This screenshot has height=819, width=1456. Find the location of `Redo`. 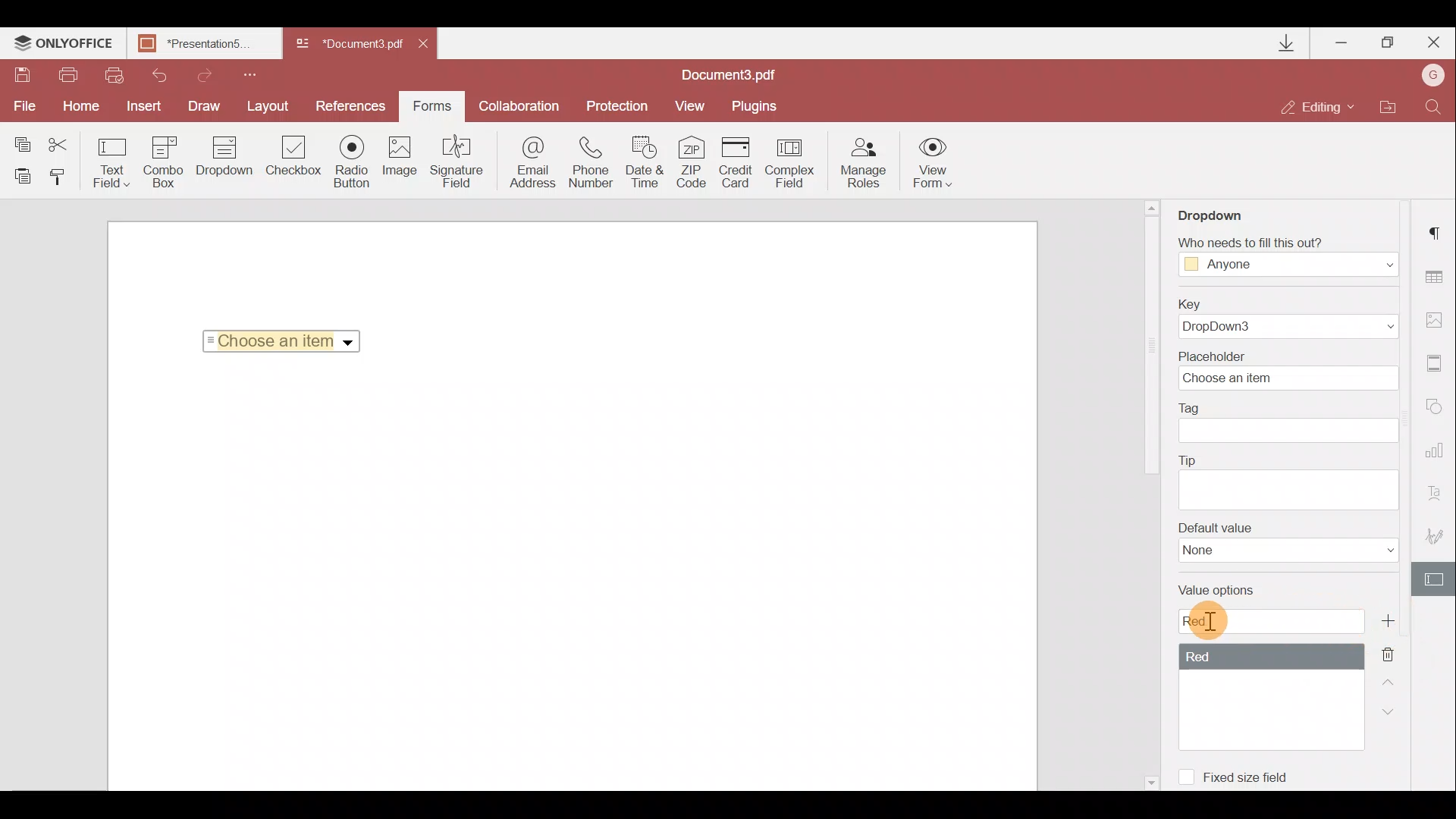

Redo is located at coordinates (206, 74).